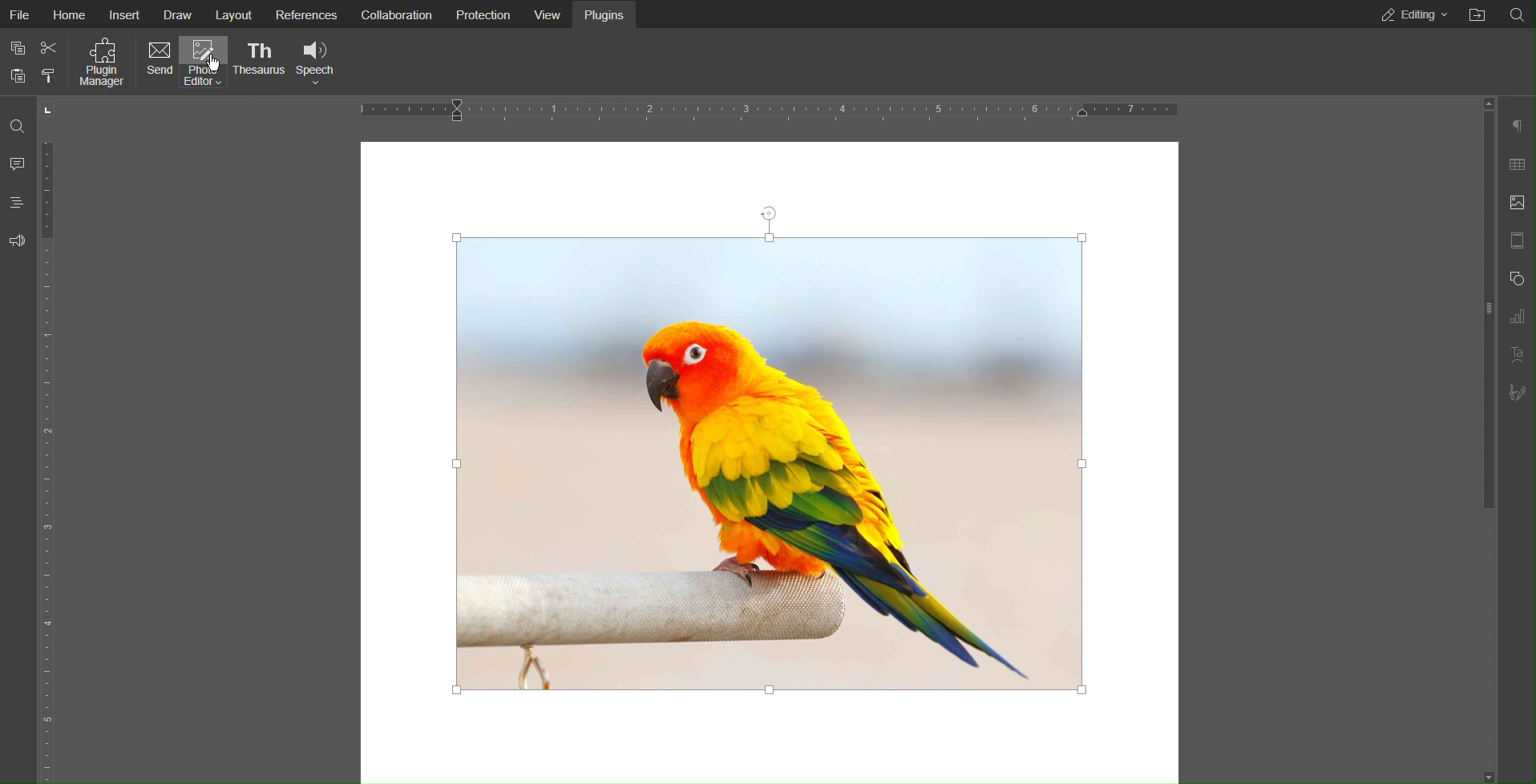  What do you see at coordinates (1516, 394) in the screenshot?
I see `Signature` at bounding box center [1516, 394].